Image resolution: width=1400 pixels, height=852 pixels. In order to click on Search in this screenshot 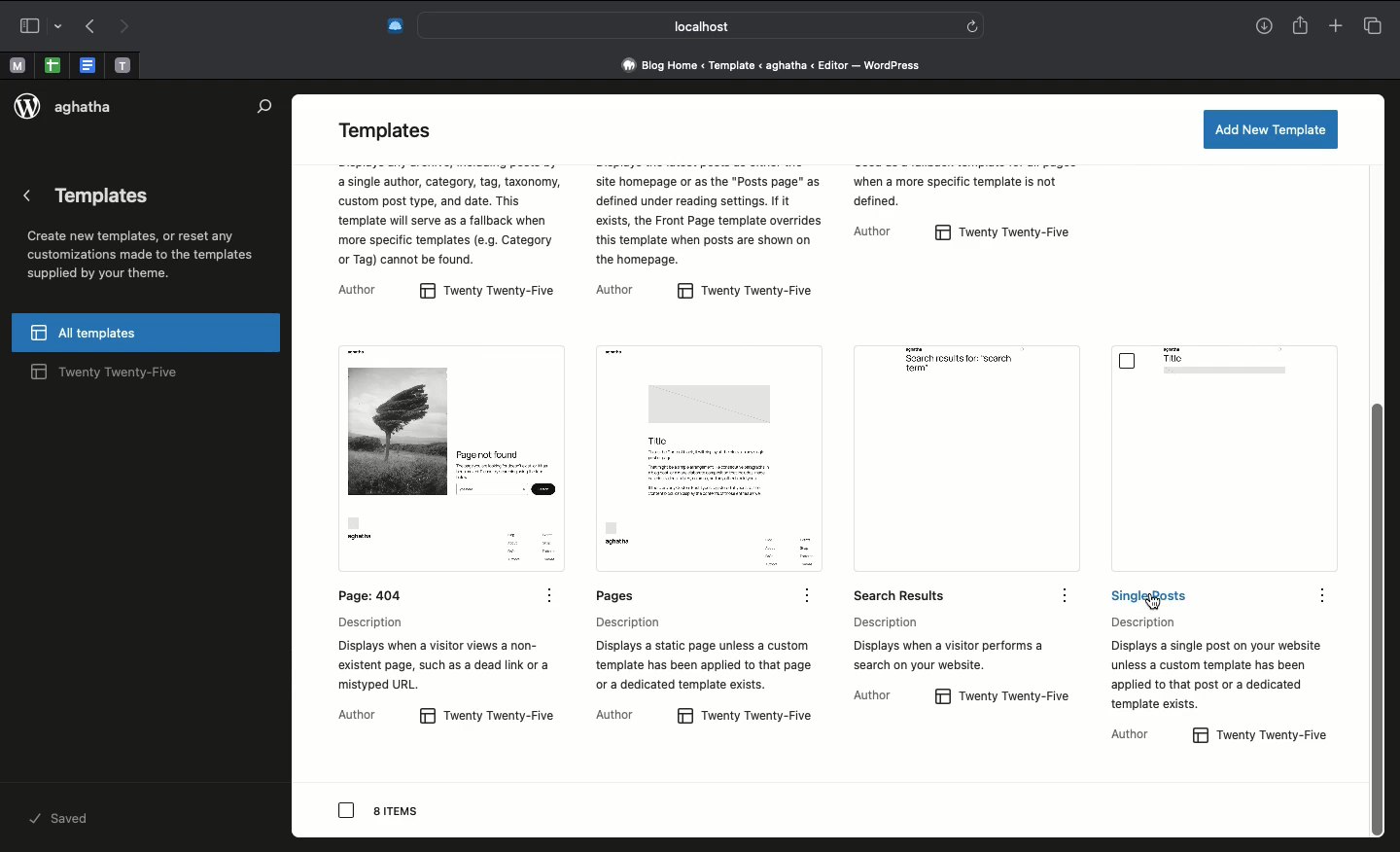, I will do `click(262, 108)`.